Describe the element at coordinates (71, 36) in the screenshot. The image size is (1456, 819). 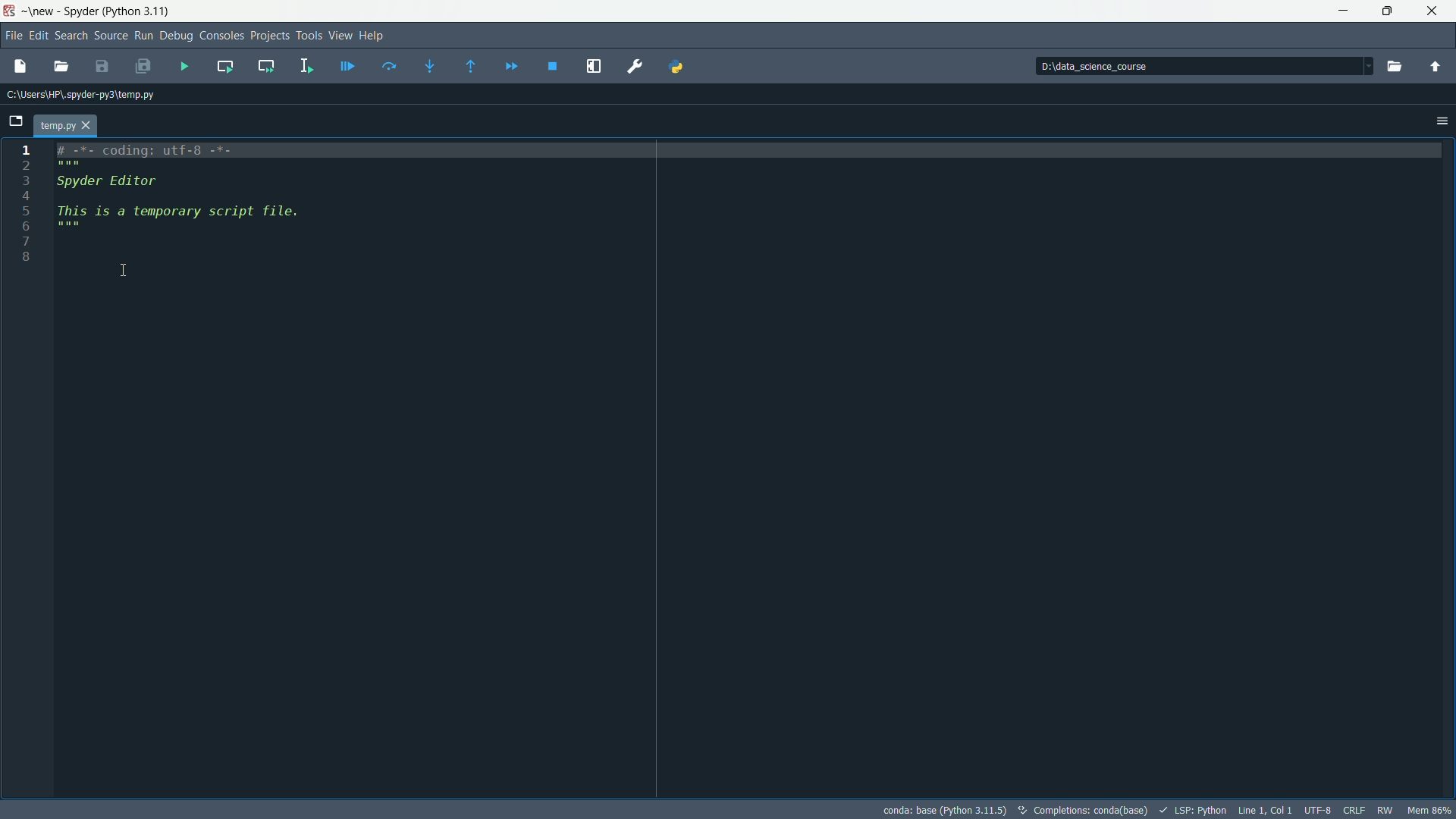
I see `seach menu` at that location.